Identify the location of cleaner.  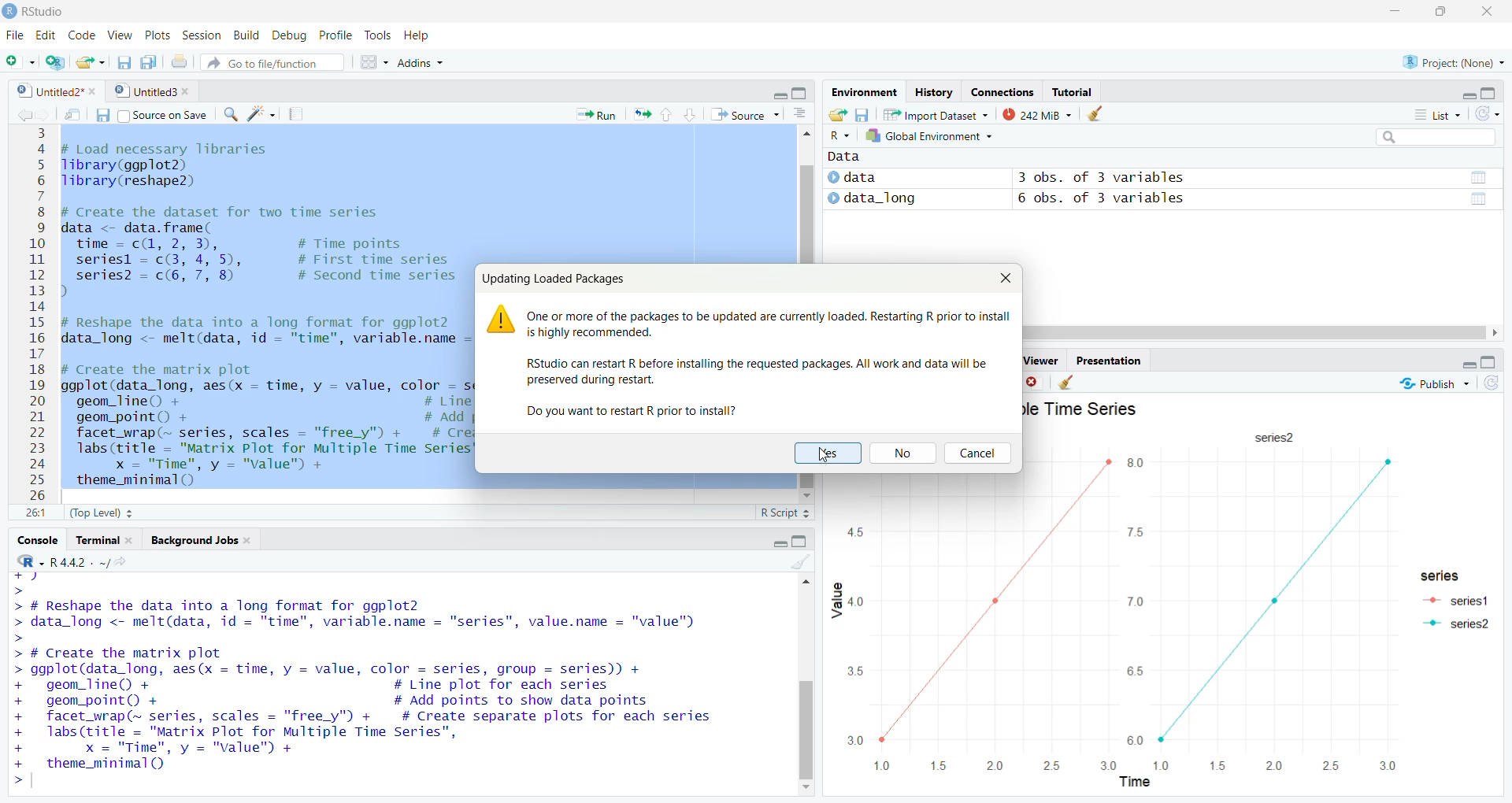
(1066, 383).